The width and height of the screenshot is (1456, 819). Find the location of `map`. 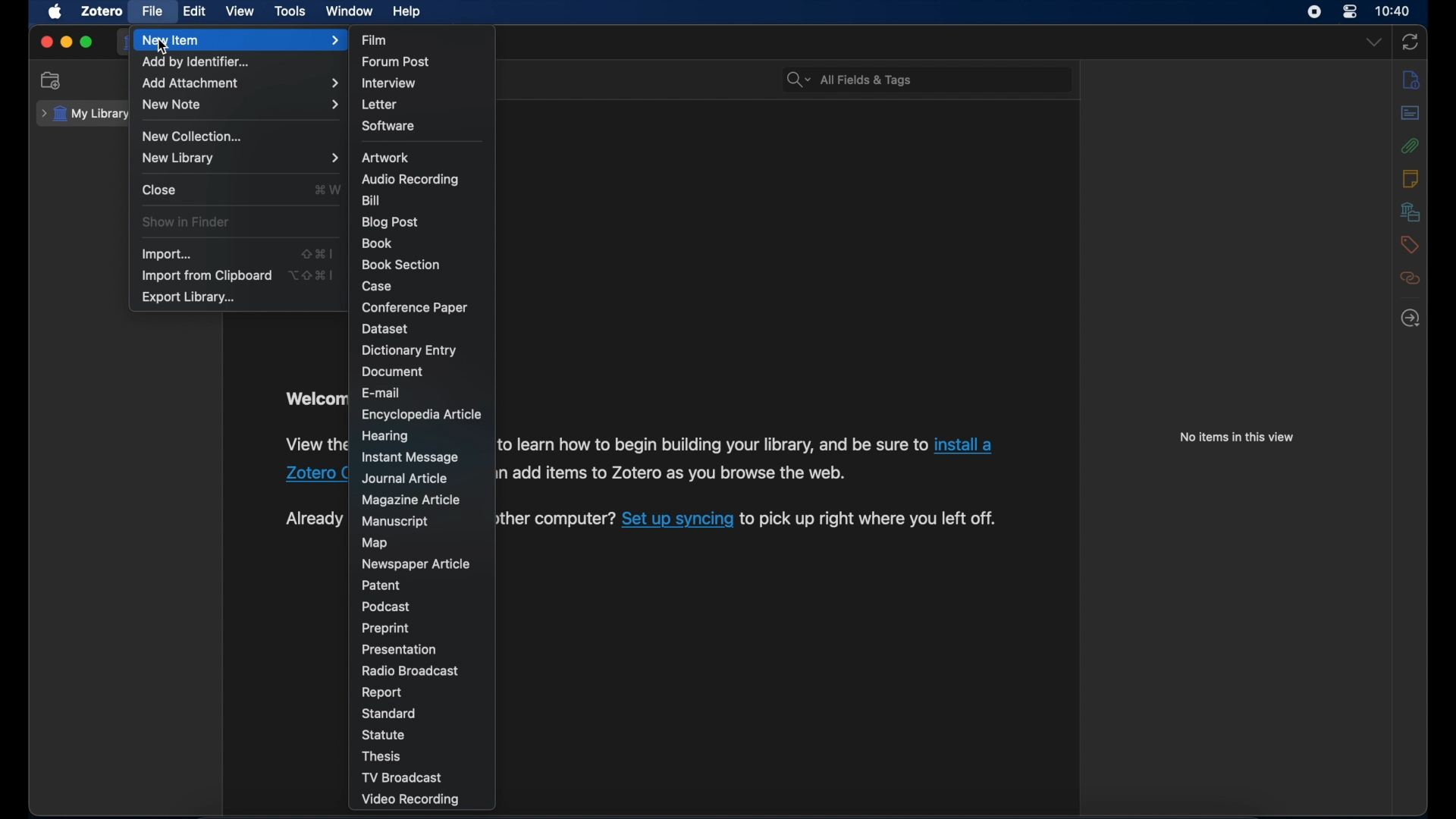

map is located at coordinates (378, 543).